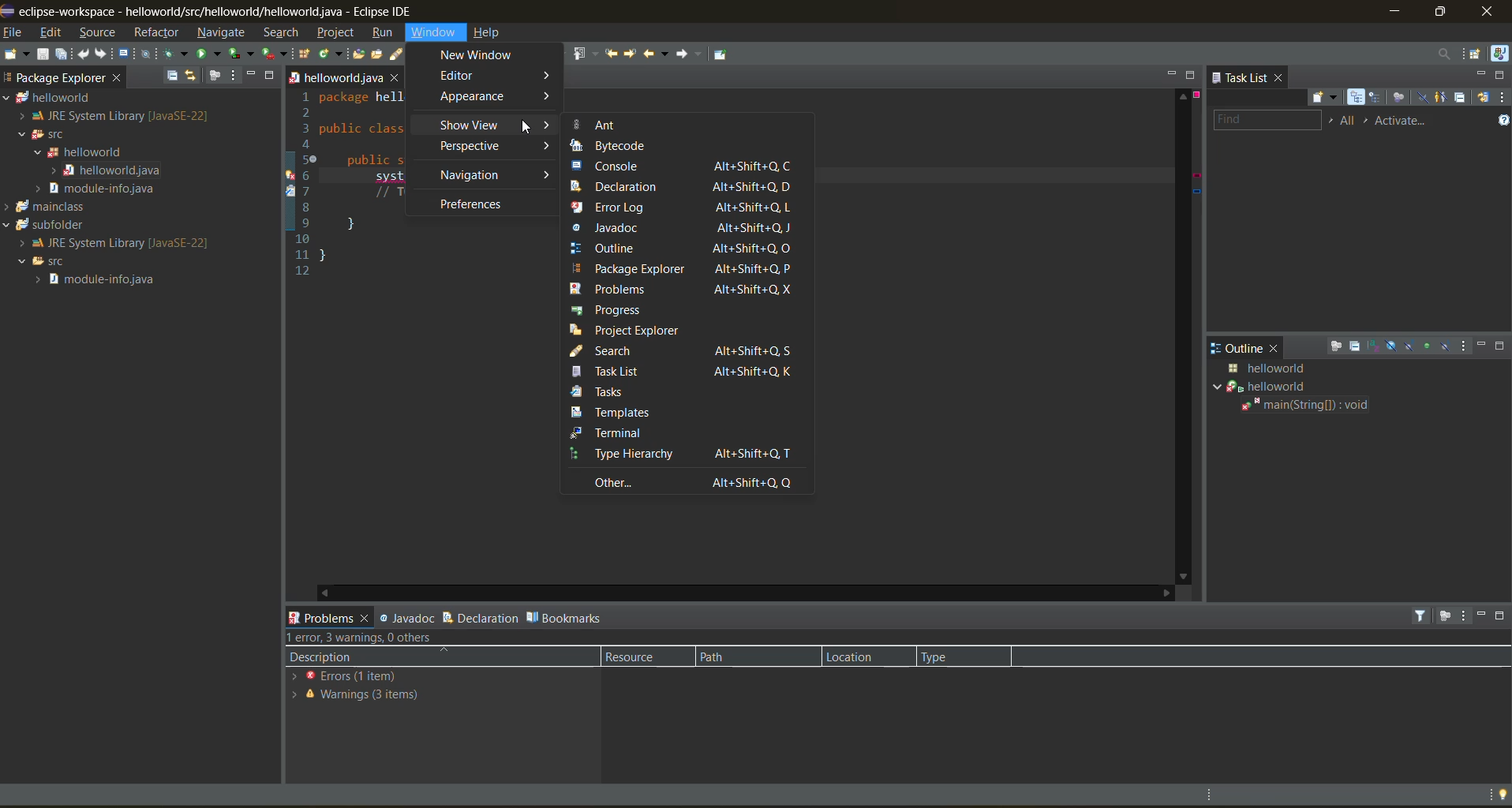 This screenshot has width=1512, height=808. What do you see at coordinates (1339, 346) in the screenshot?
I see `focus on active task` at bounding box center [1339, 346].